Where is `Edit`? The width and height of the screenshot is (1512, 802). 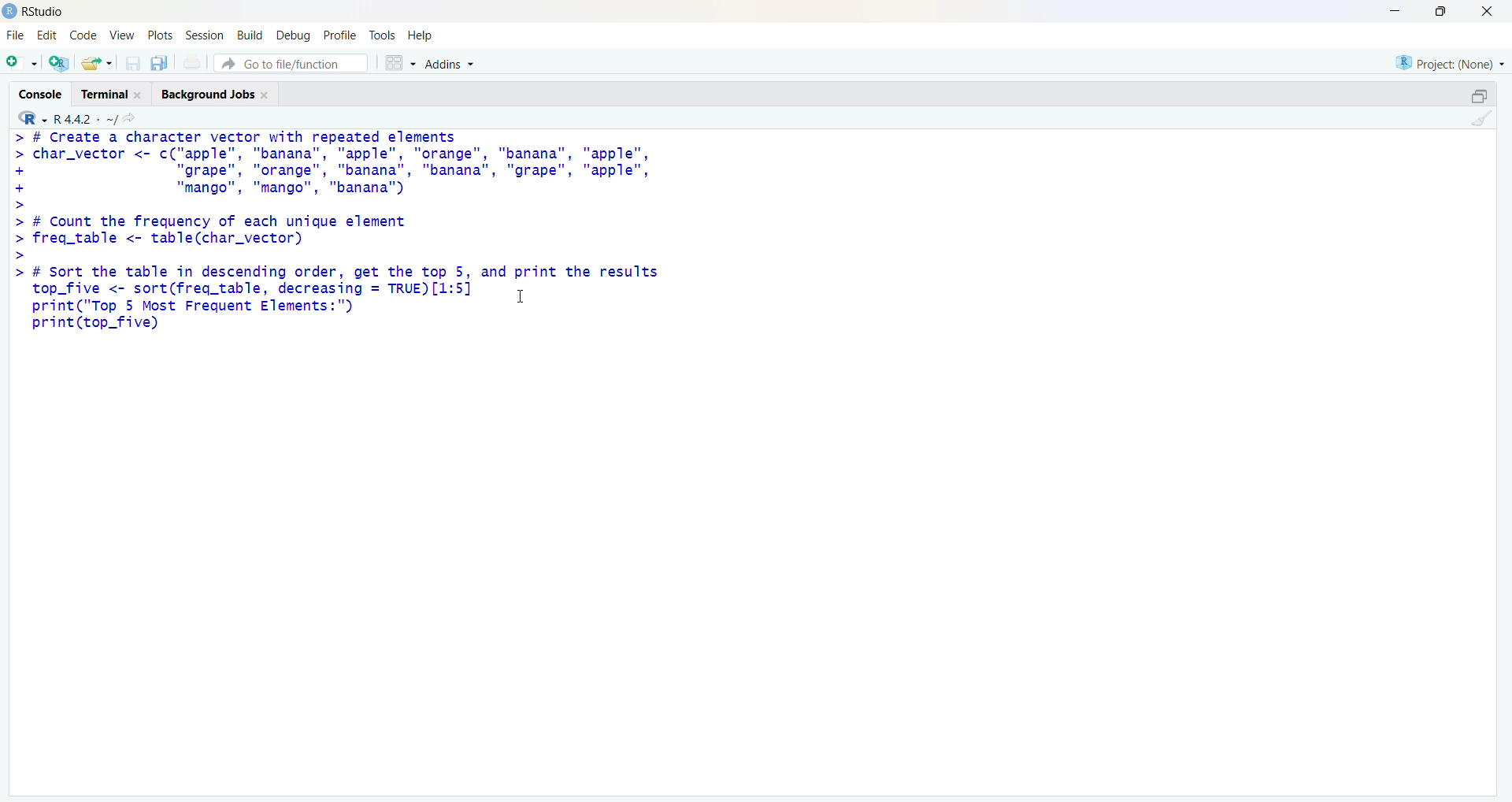 Edit is located at coordinates (46, 35).